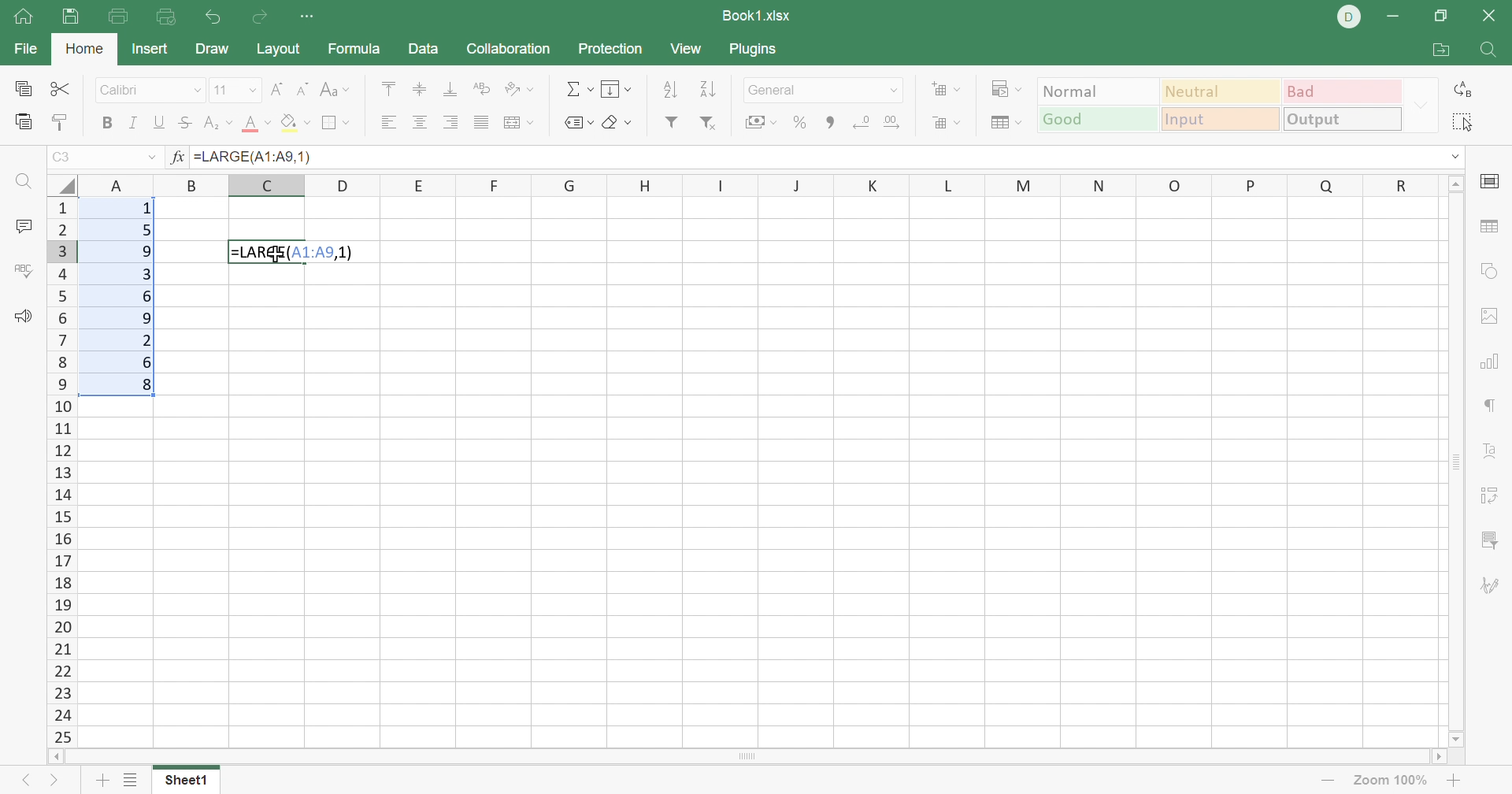 This screenshot has height=794, width=1512. I want to click on Customize quick access toolabr, so click(309, 17).